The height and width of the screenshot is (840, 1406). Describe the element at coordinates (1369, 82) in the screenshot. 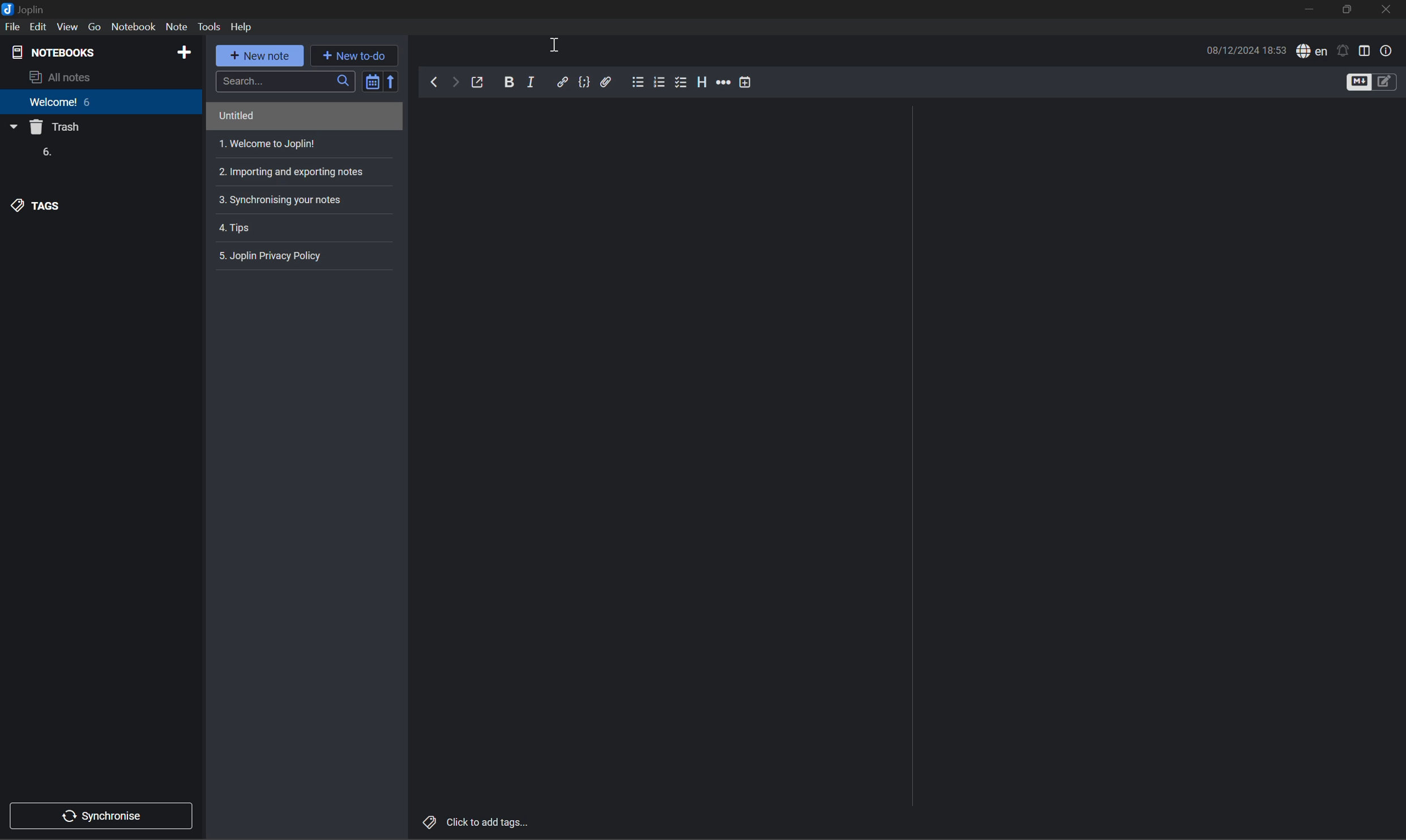

I see `Toggle editors` at that location.